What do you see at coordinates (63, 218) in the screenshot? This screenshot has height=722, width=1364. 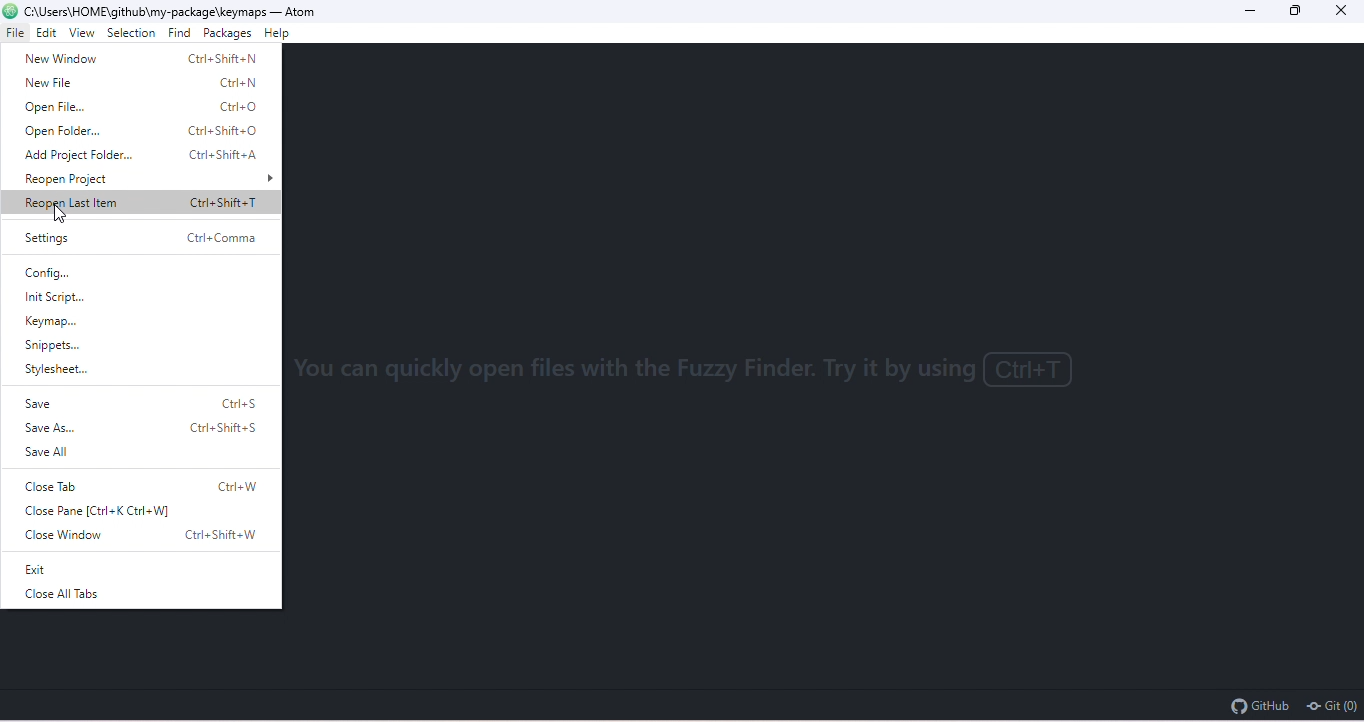 I see `cursor movement` at bounding box center [63, 218].